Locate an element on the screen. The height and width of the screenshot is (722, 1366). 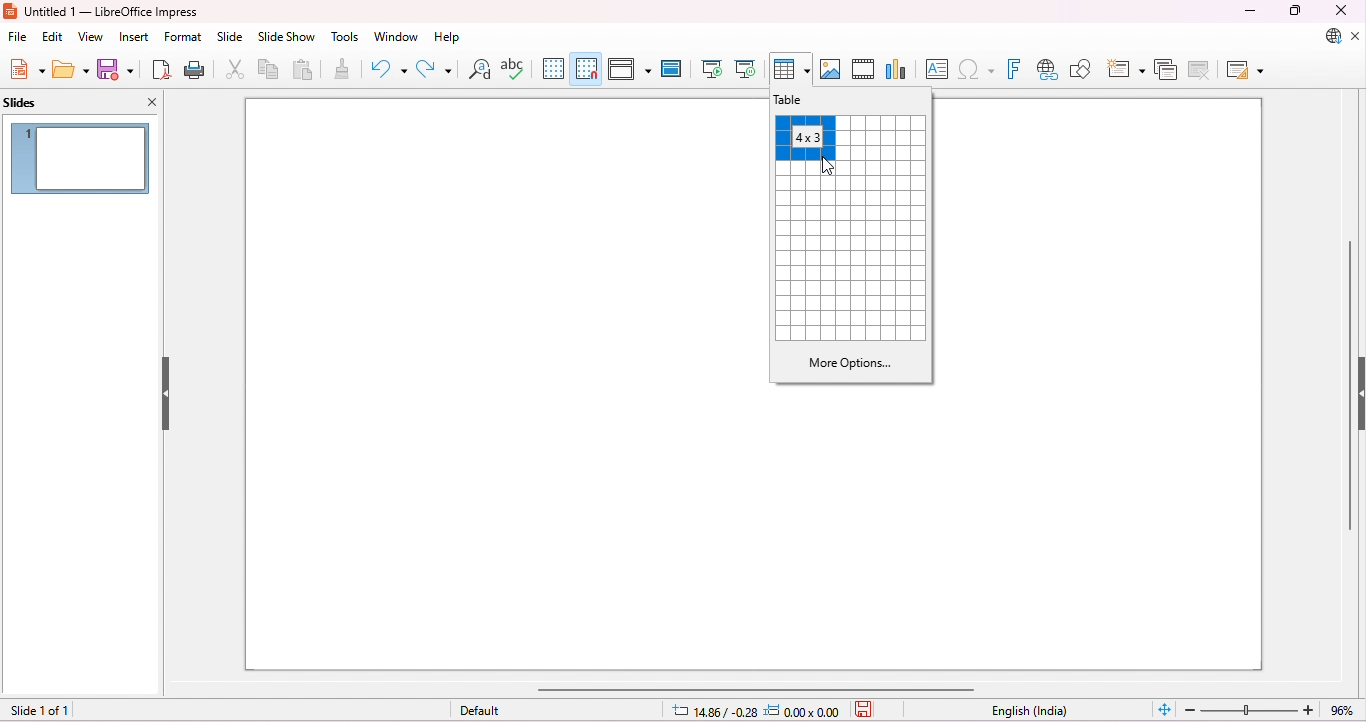
row and column numbers is located at coordinates (806, 137).